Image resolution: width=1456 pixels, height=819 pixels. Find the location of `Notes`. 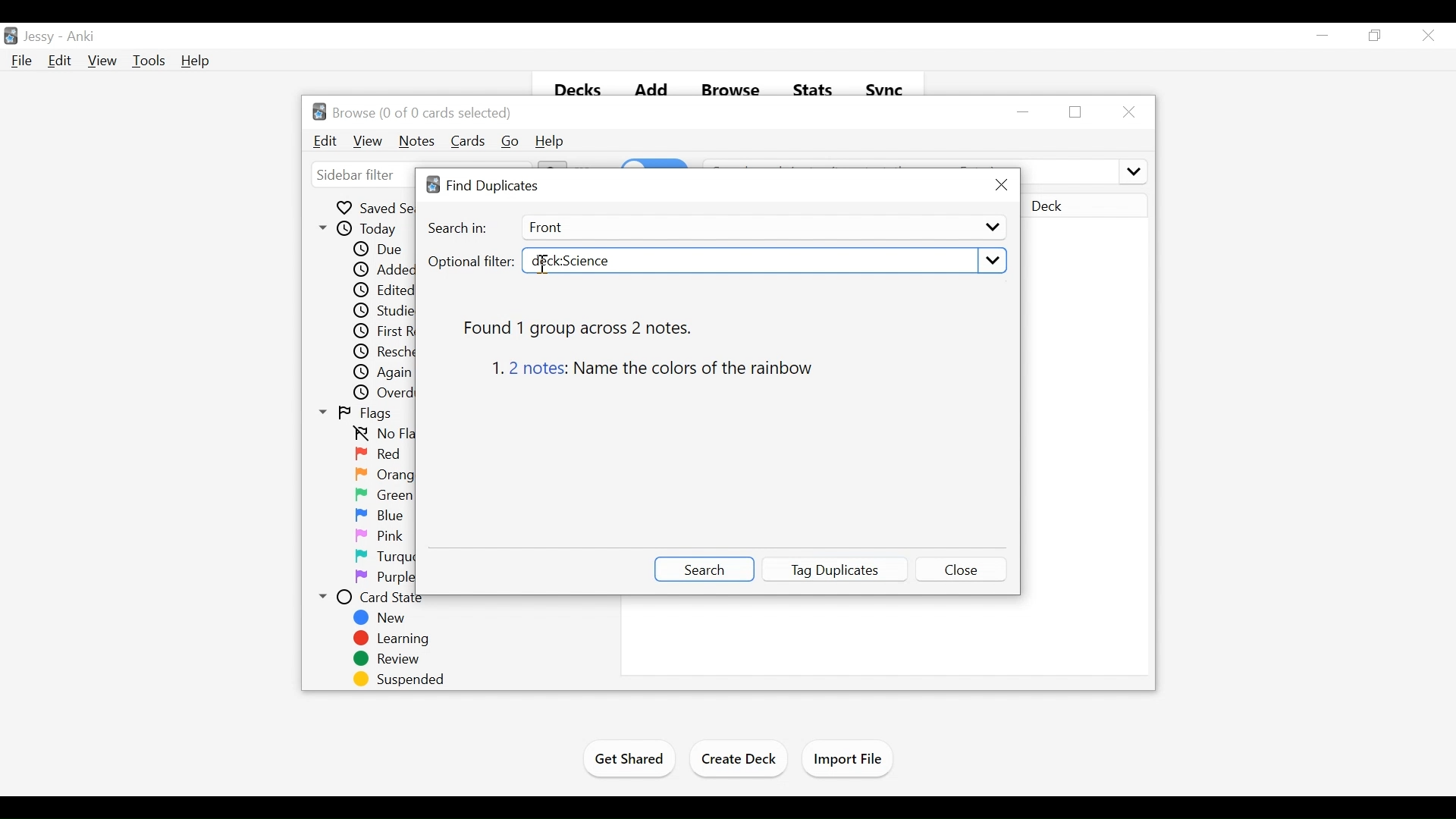

Notes is located at coordinates (417, 142).